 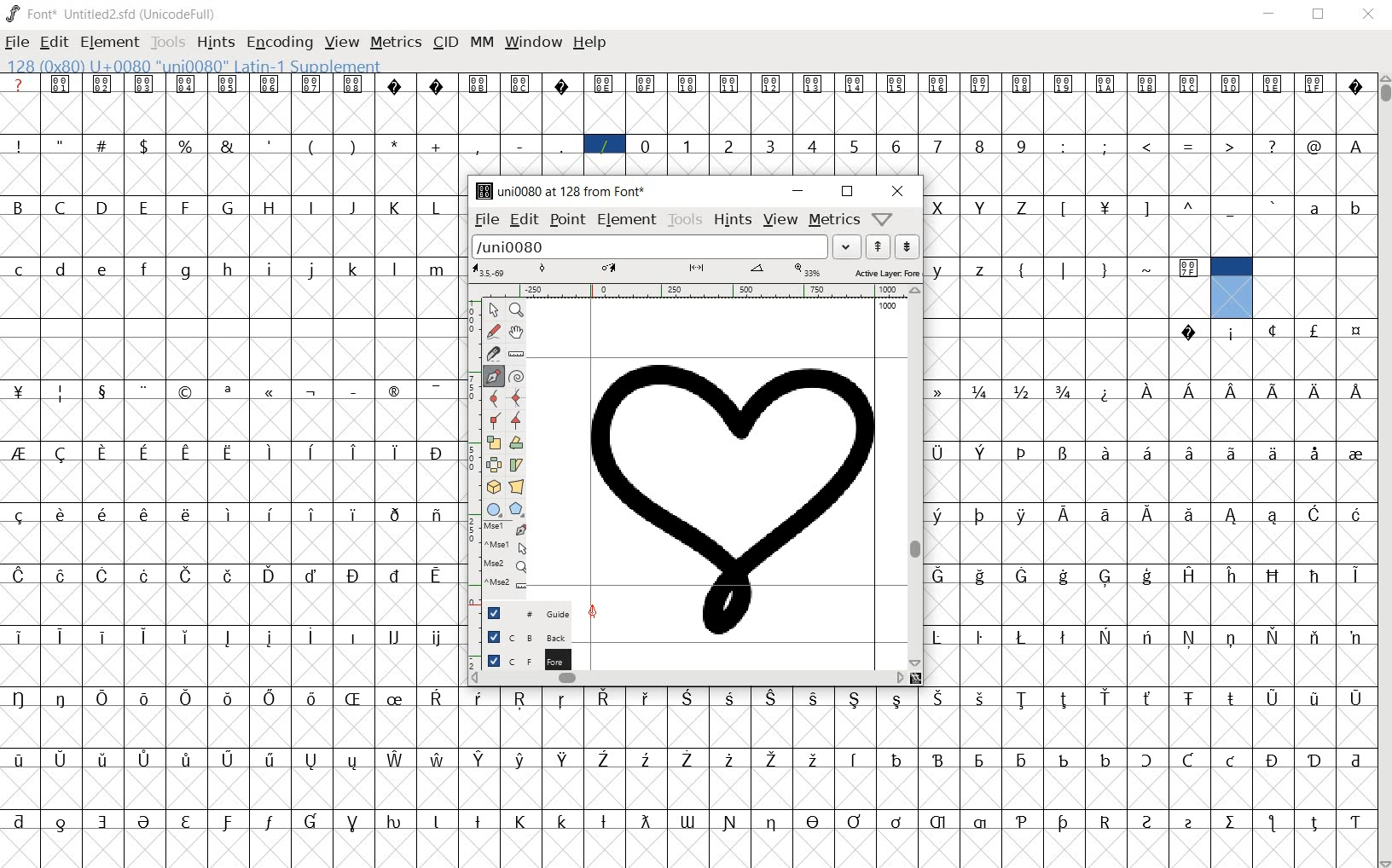 I want to click on glyph, so click(x=814, y=759).